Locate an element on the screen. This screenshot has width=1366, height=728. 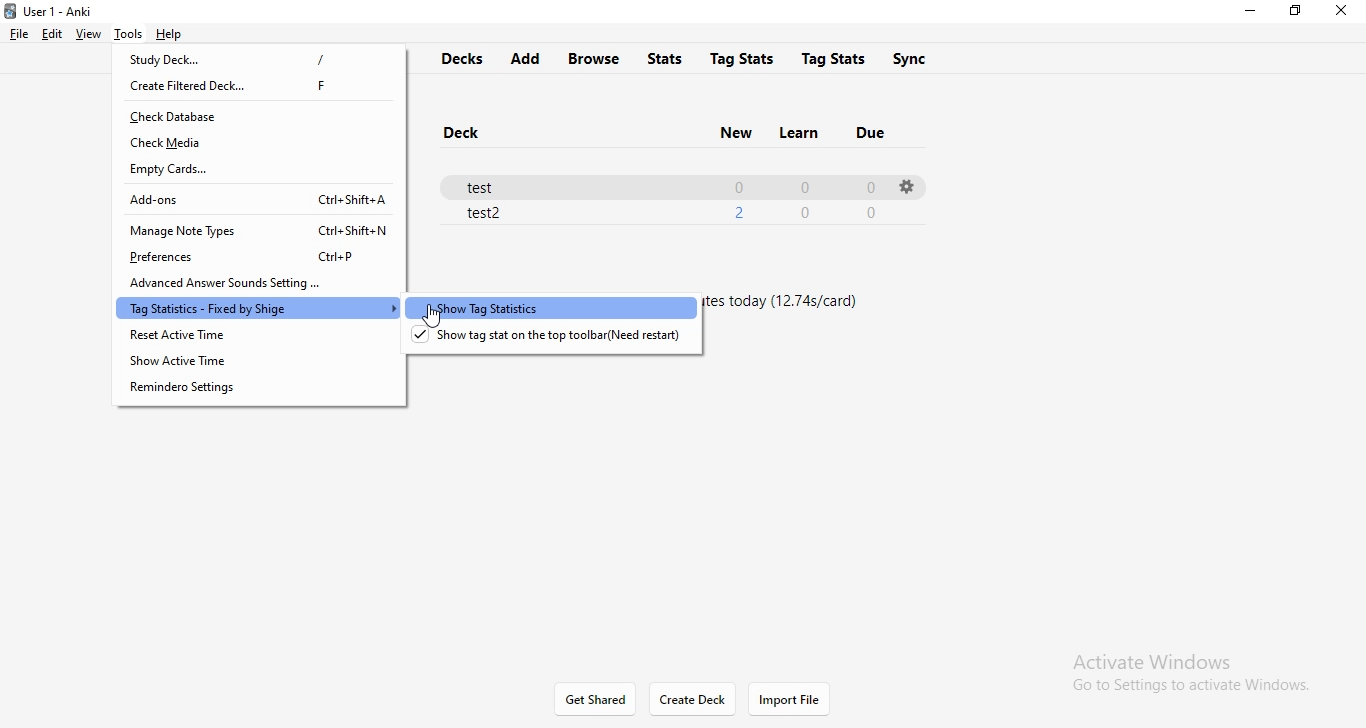
 is located at coordinates (908, 187).